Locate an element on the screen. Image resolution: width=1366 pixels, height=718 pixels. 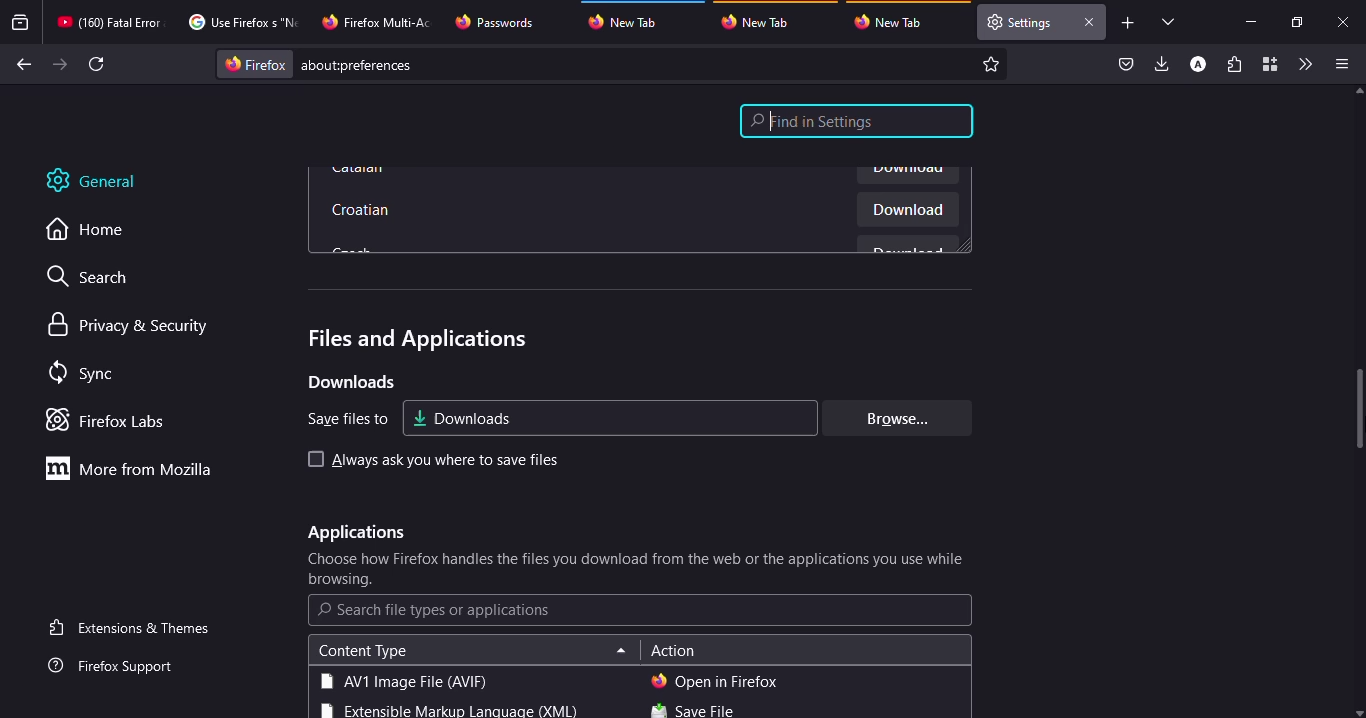
action is located at coordinates (674, 649).